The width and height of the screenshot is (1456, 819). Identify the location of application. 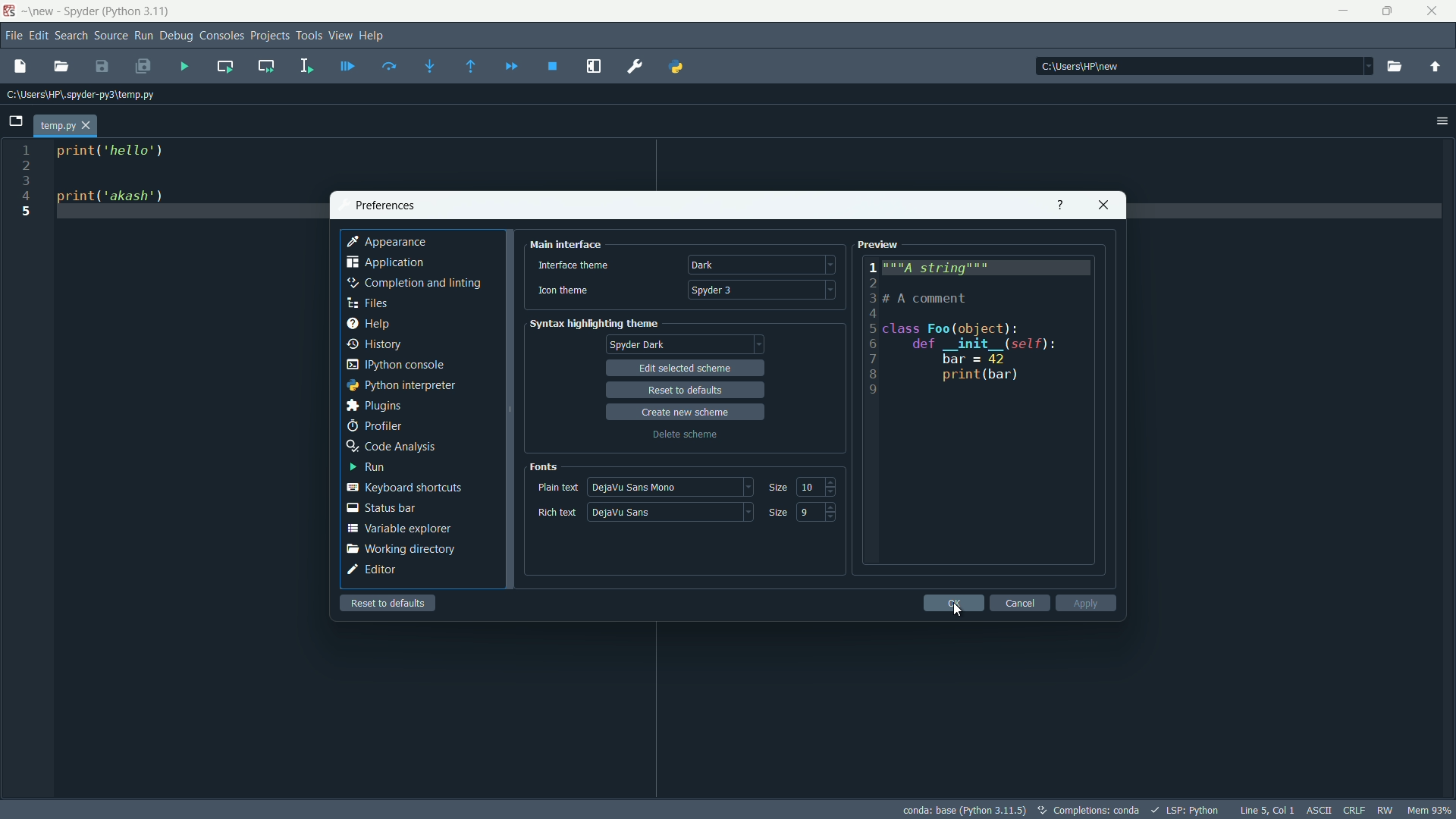
(387, 262).